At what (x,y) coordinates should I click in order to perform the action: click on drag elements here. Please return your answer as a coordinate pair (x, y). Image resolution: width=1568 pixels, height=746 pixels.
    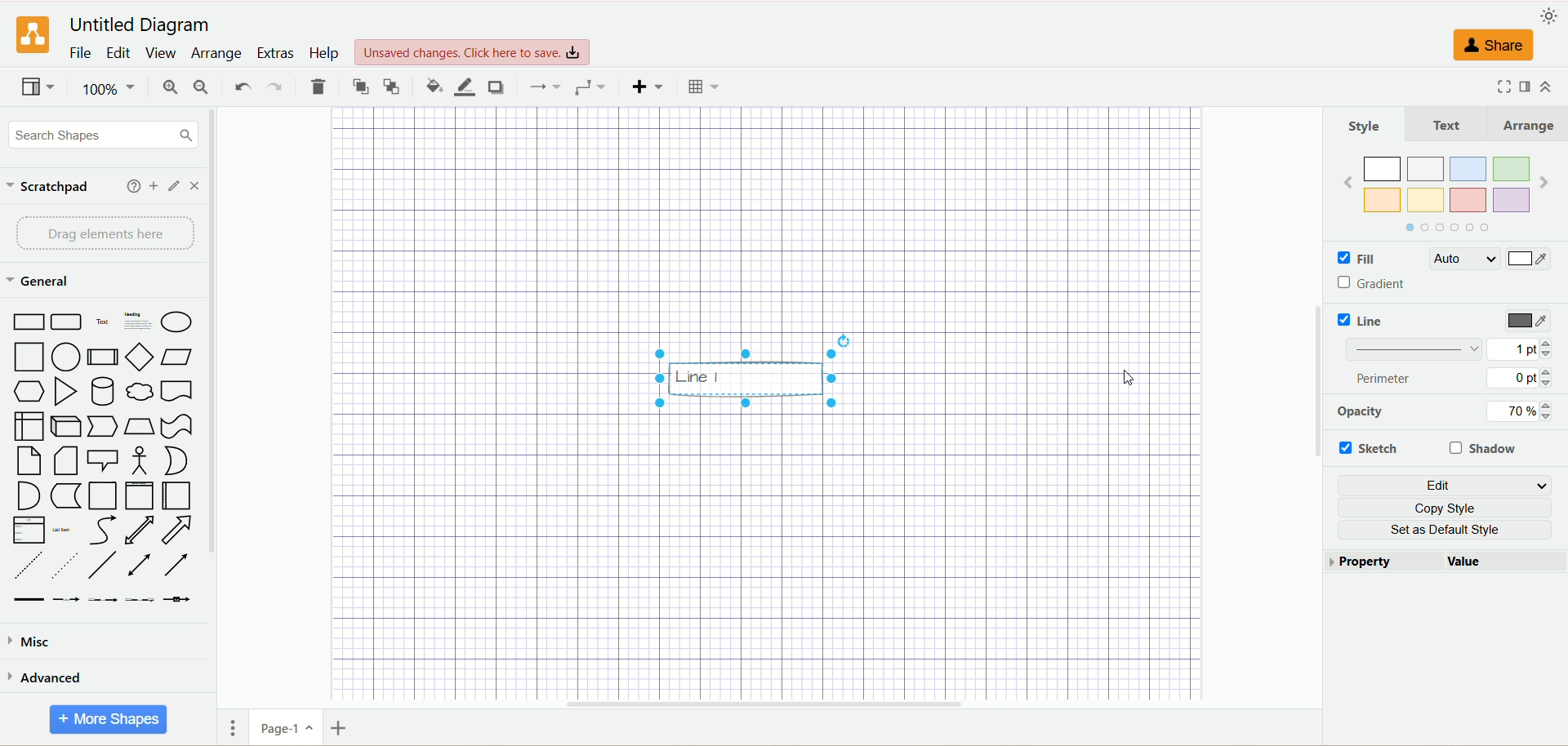
    Looking at the image, I should click on (105, 233).